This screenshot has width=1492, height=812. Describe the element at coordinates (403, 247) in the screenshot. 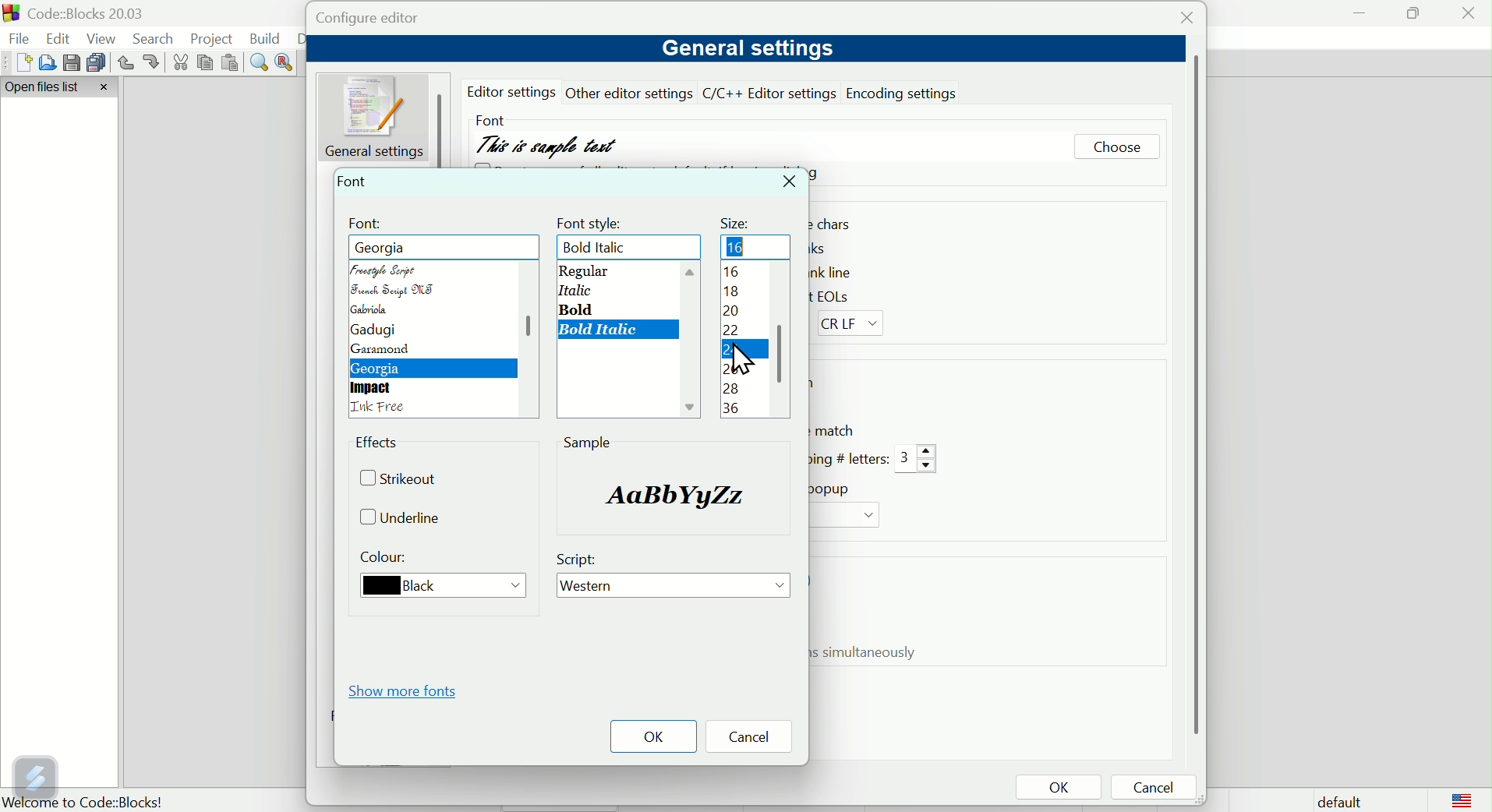

I see `Freestyle script` at that location.